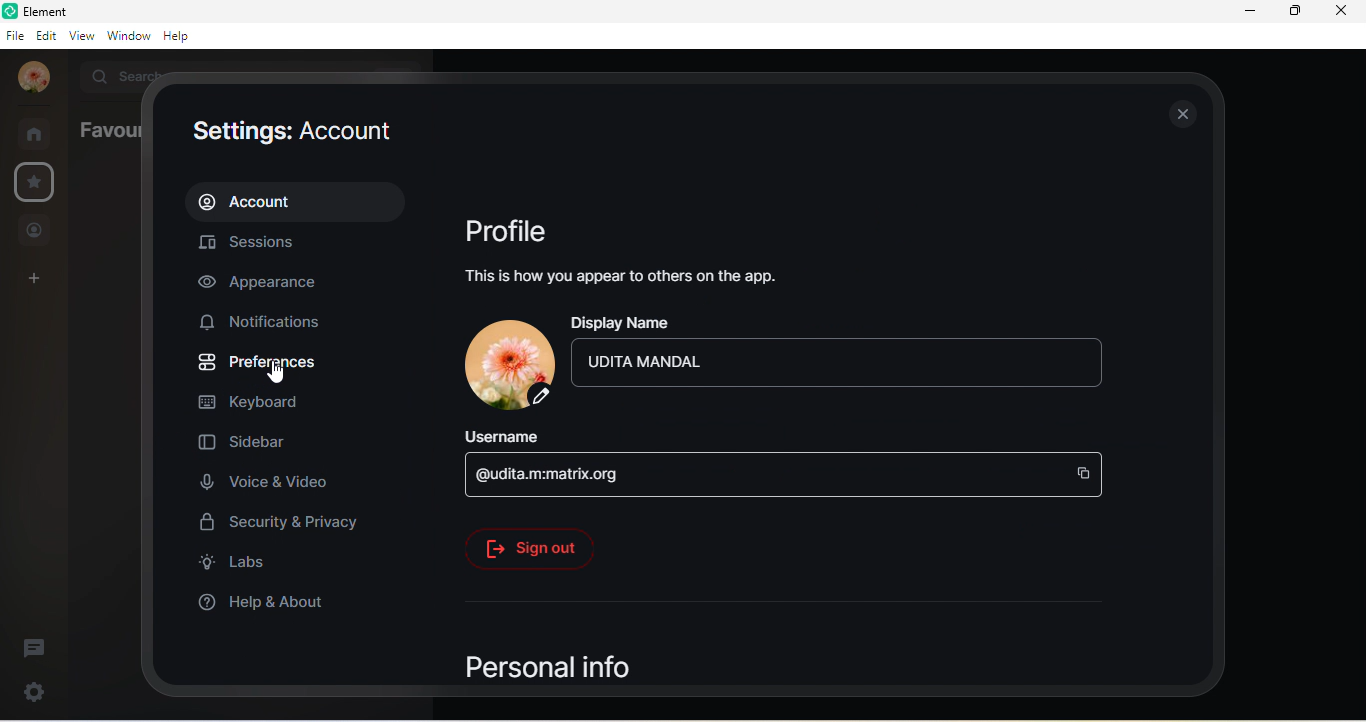  I want to click on threads, so click(41, 642).